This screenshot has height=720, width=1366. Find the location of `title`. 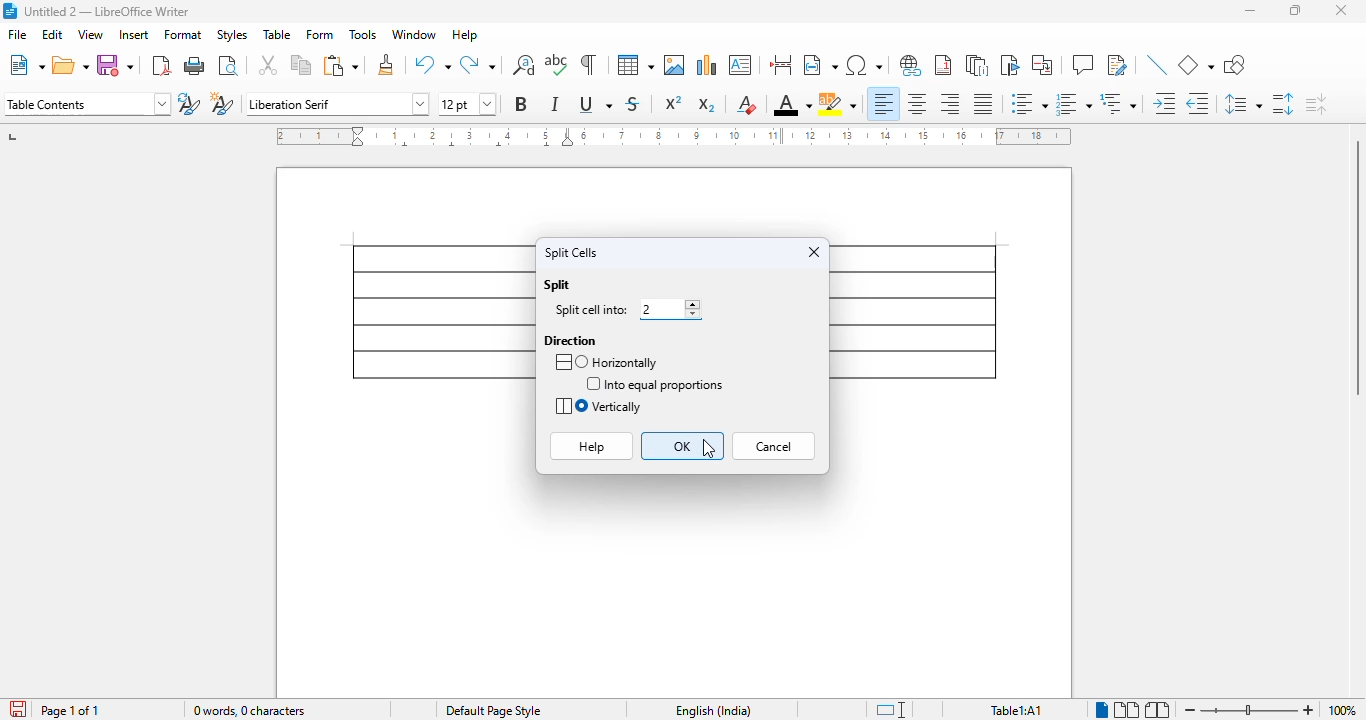

title is located at coordinates (108, 12).